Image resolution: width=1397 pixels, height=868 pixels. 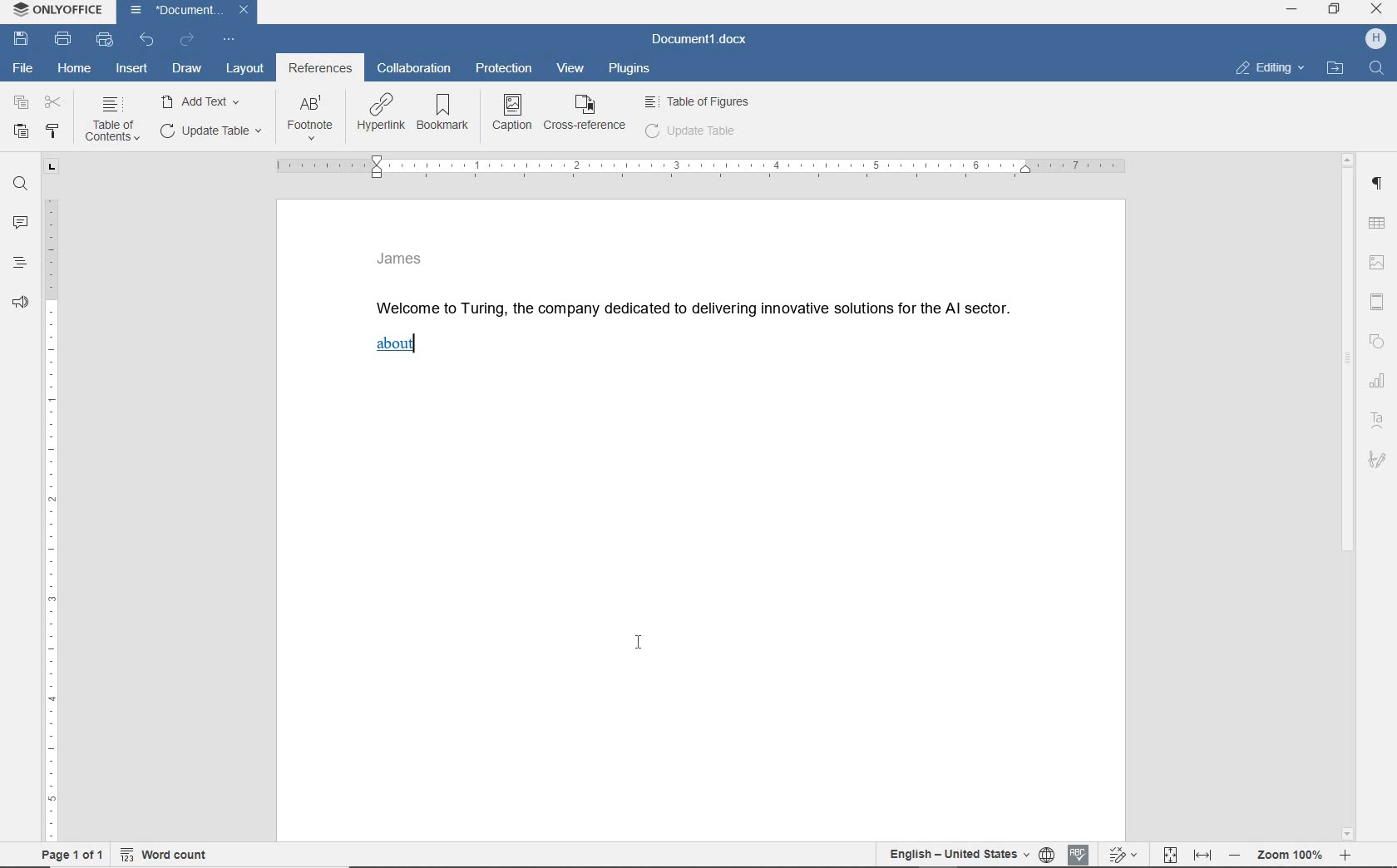 What do you see at coordinates (568, 69) in the screenshot?
I see `view` at bounding box center [568, 69].